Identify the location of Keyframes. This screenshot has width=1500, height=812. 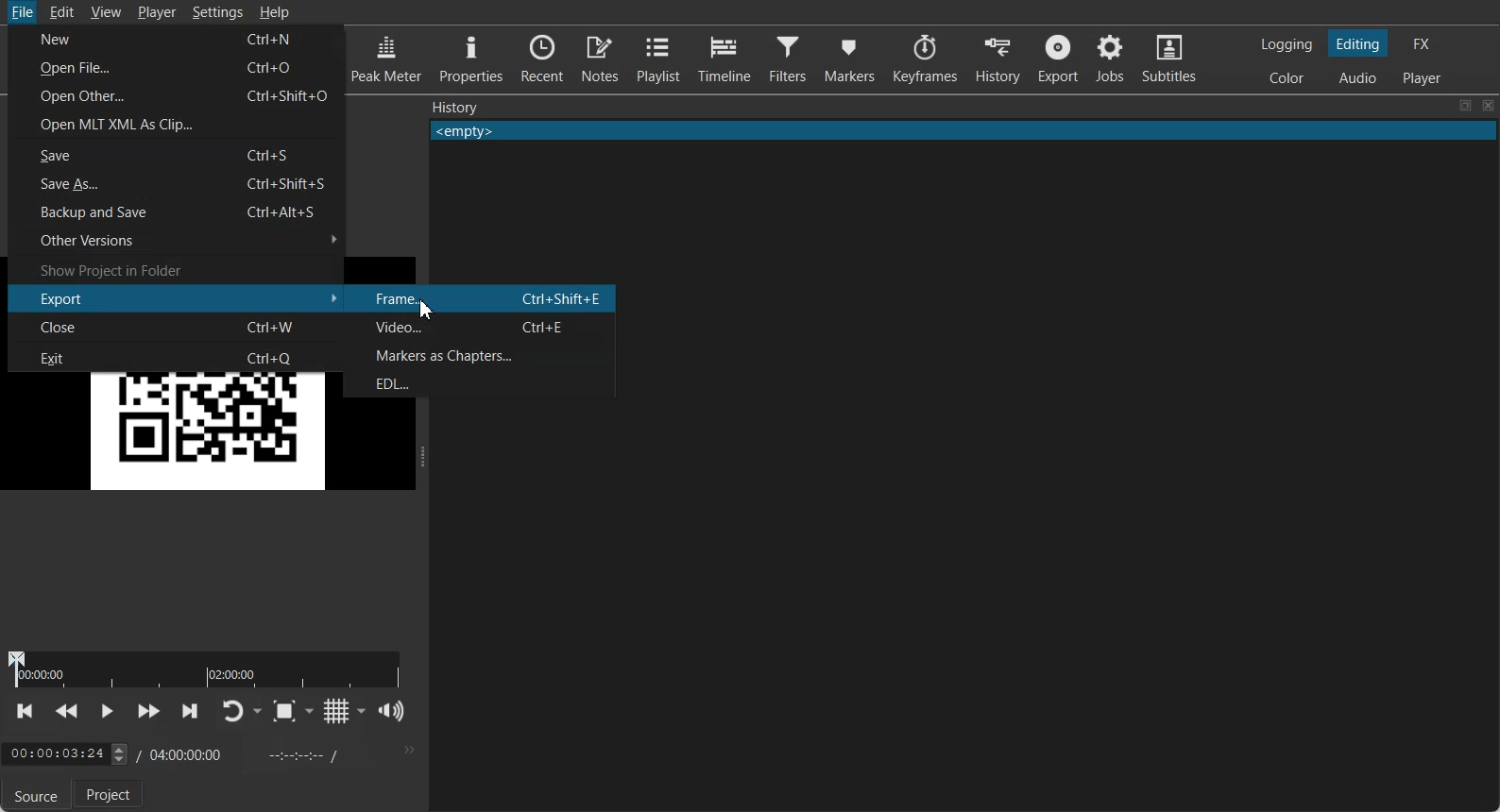
(927, 59).